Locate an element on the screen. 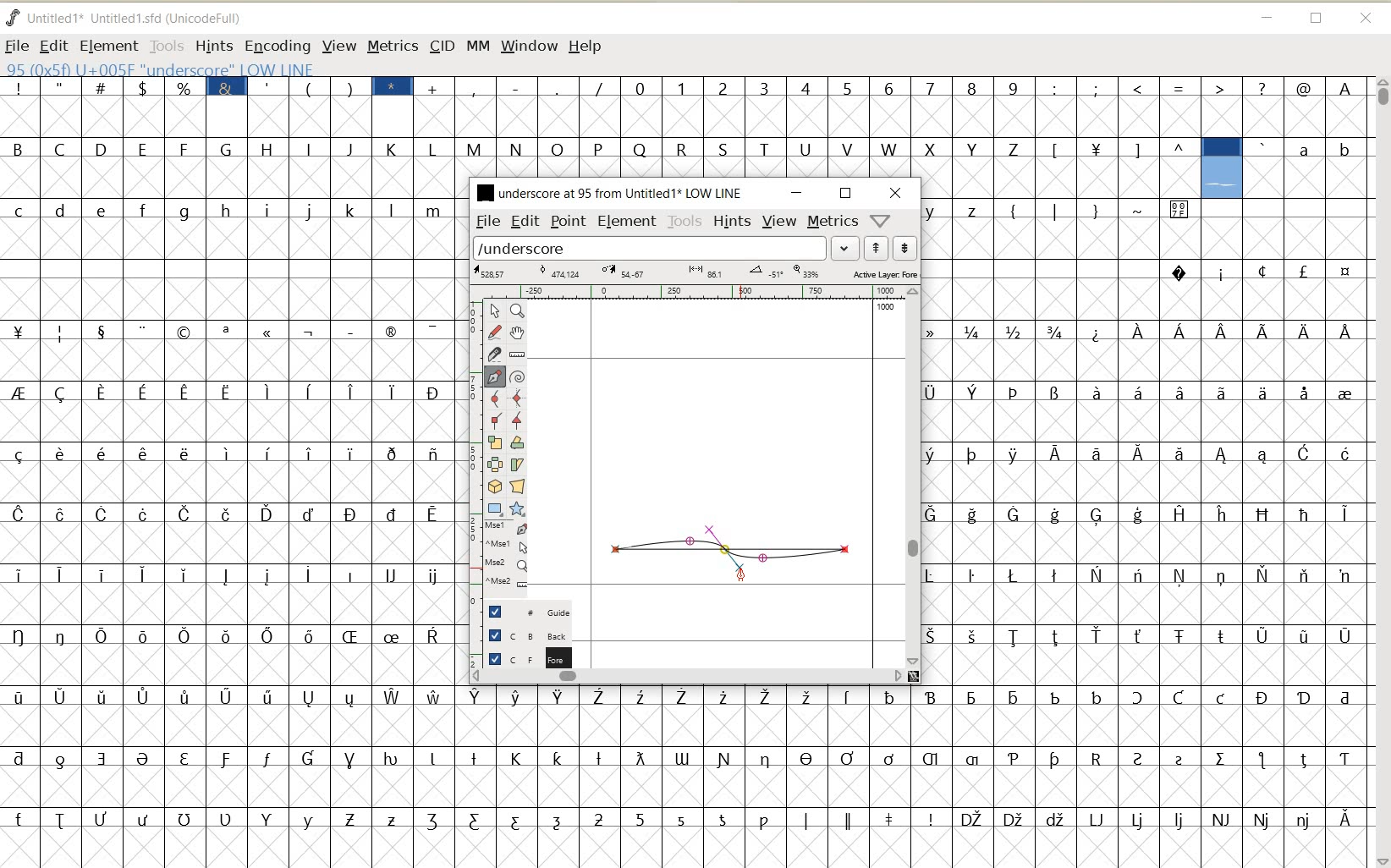  VIEW is located at coordinates (779, 219).